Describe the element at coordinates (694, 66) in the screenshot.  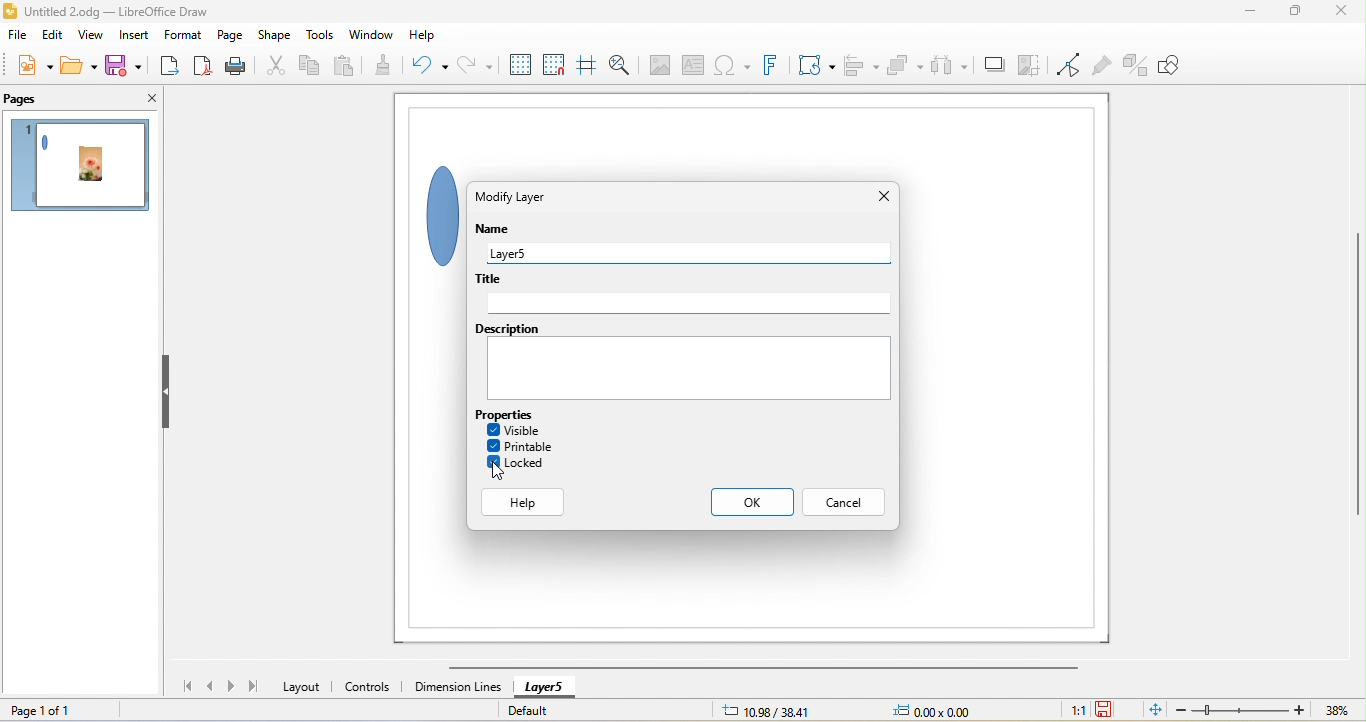
I see `text box` at that location.